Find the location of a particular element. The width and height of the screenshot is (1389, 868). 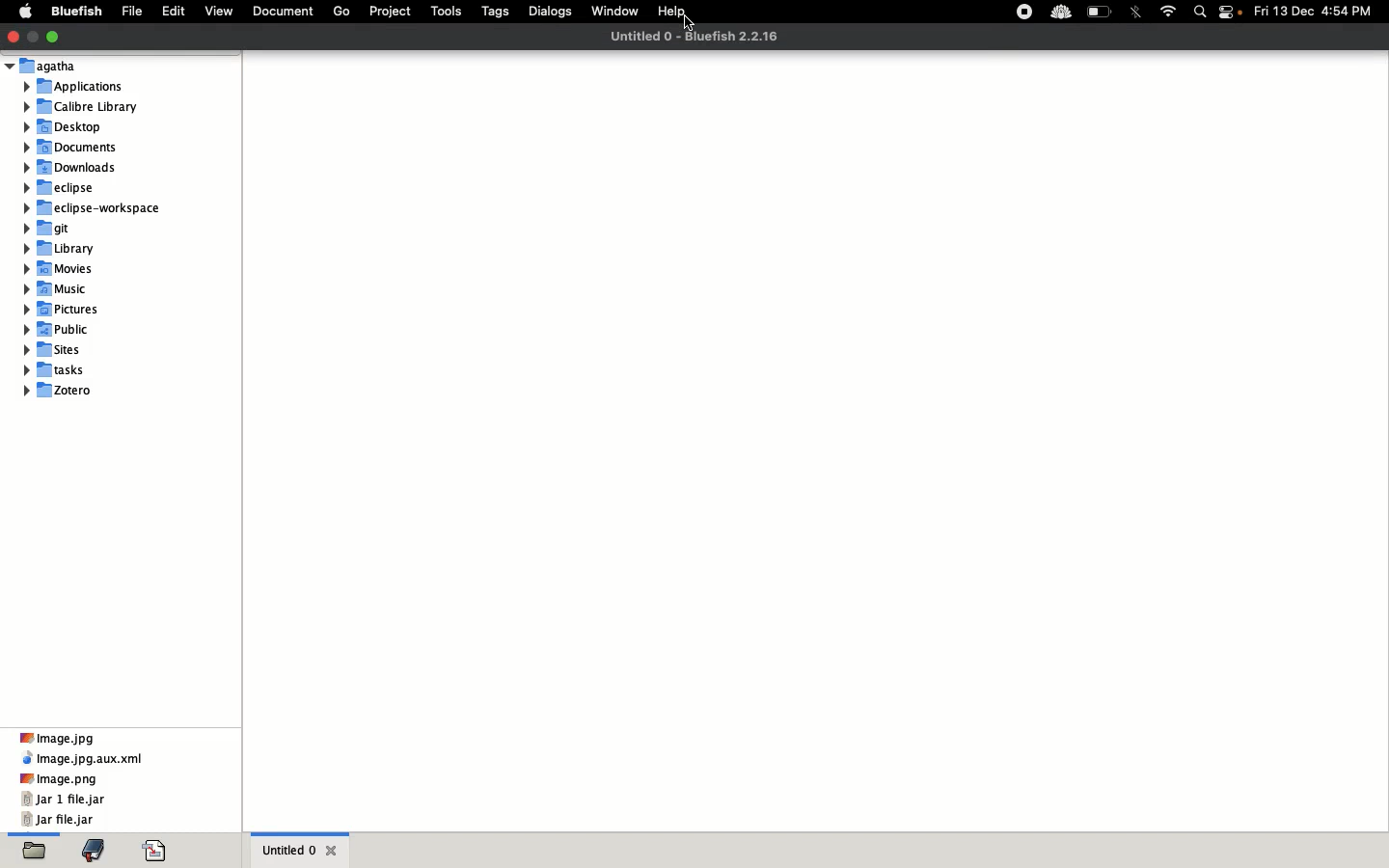

library is located at coordinates (65, 246).